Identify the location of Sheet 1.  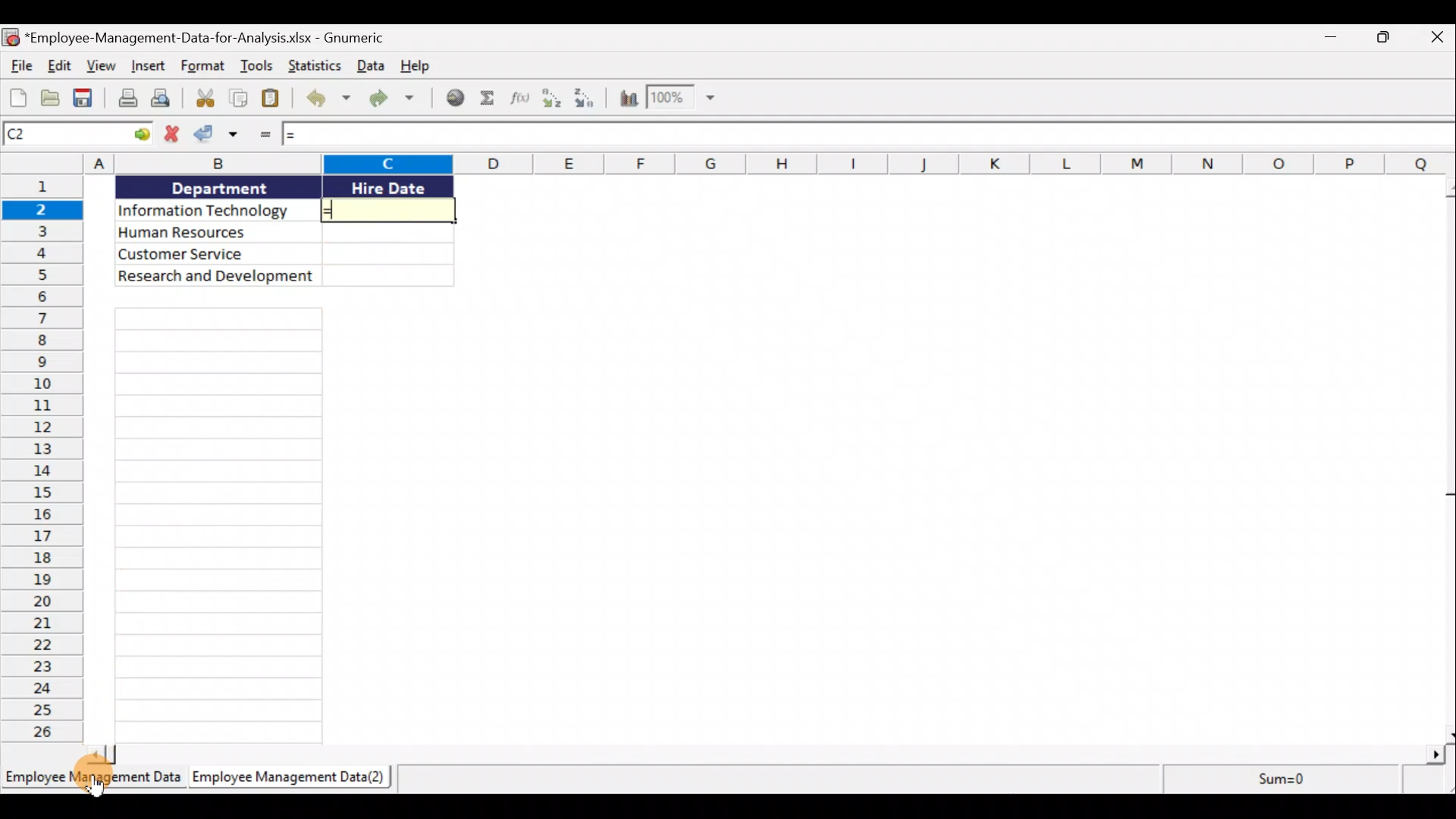
(93, 782).